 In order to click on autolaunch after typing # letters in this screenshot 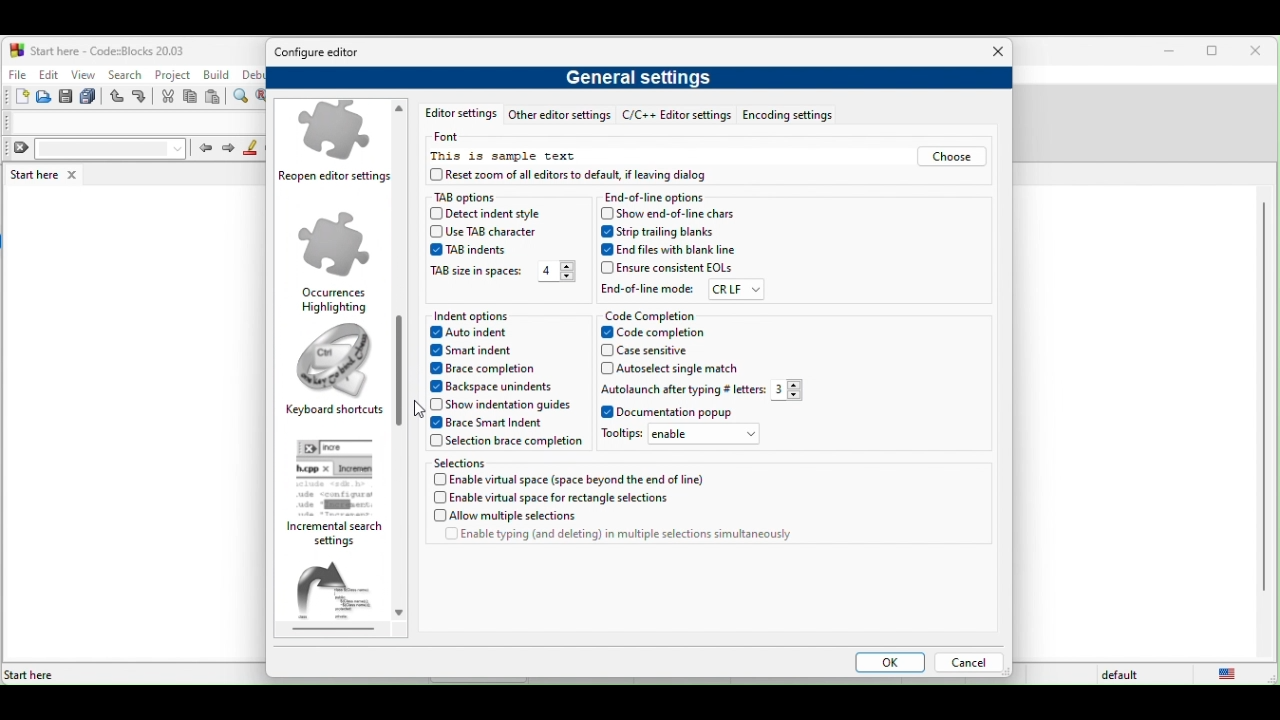, I will do `click(681, 389)`.